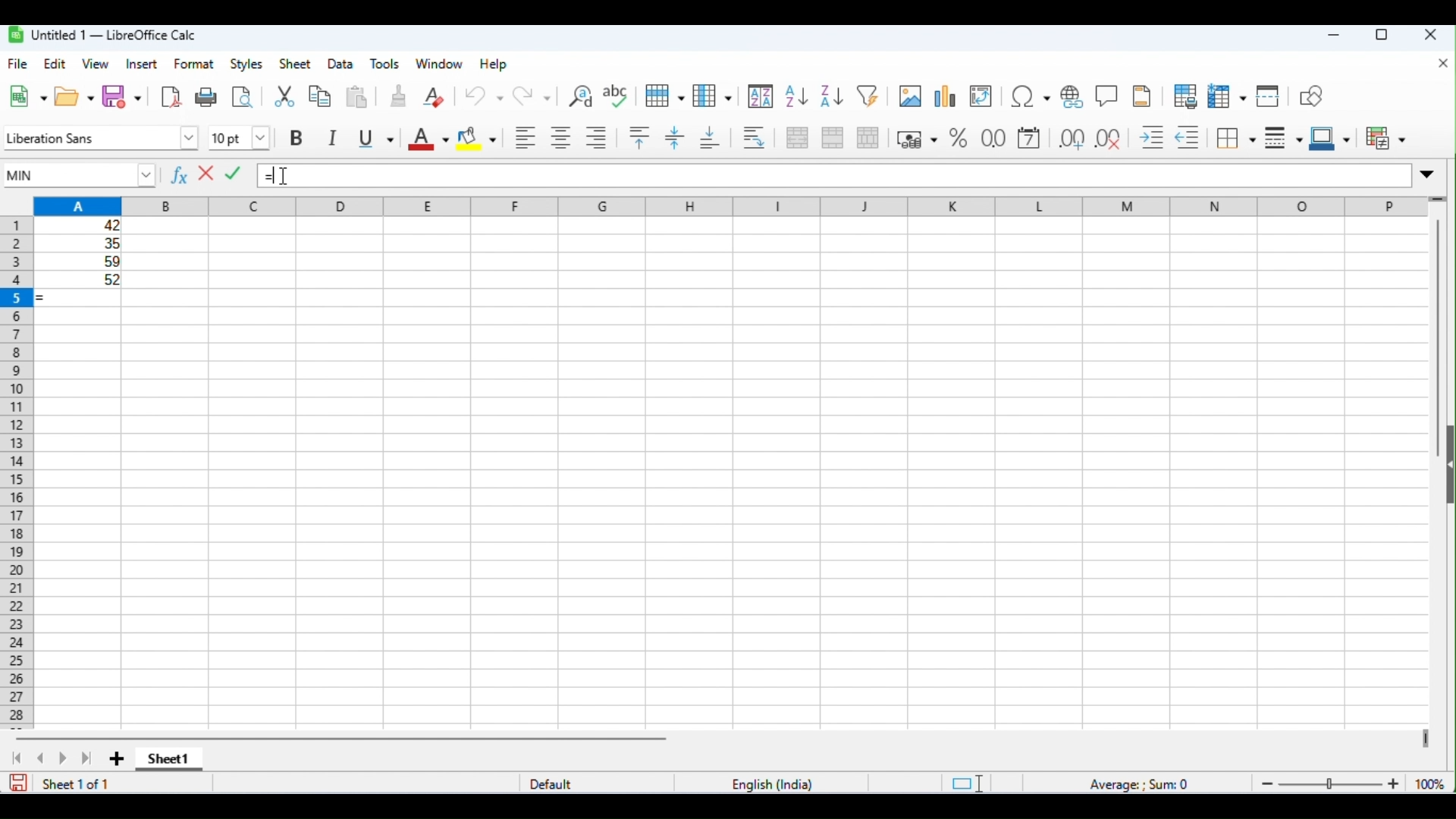 The height and width of the screenshot is (819, 1456). I want to click on toggle print preview, so click(1183, 96).